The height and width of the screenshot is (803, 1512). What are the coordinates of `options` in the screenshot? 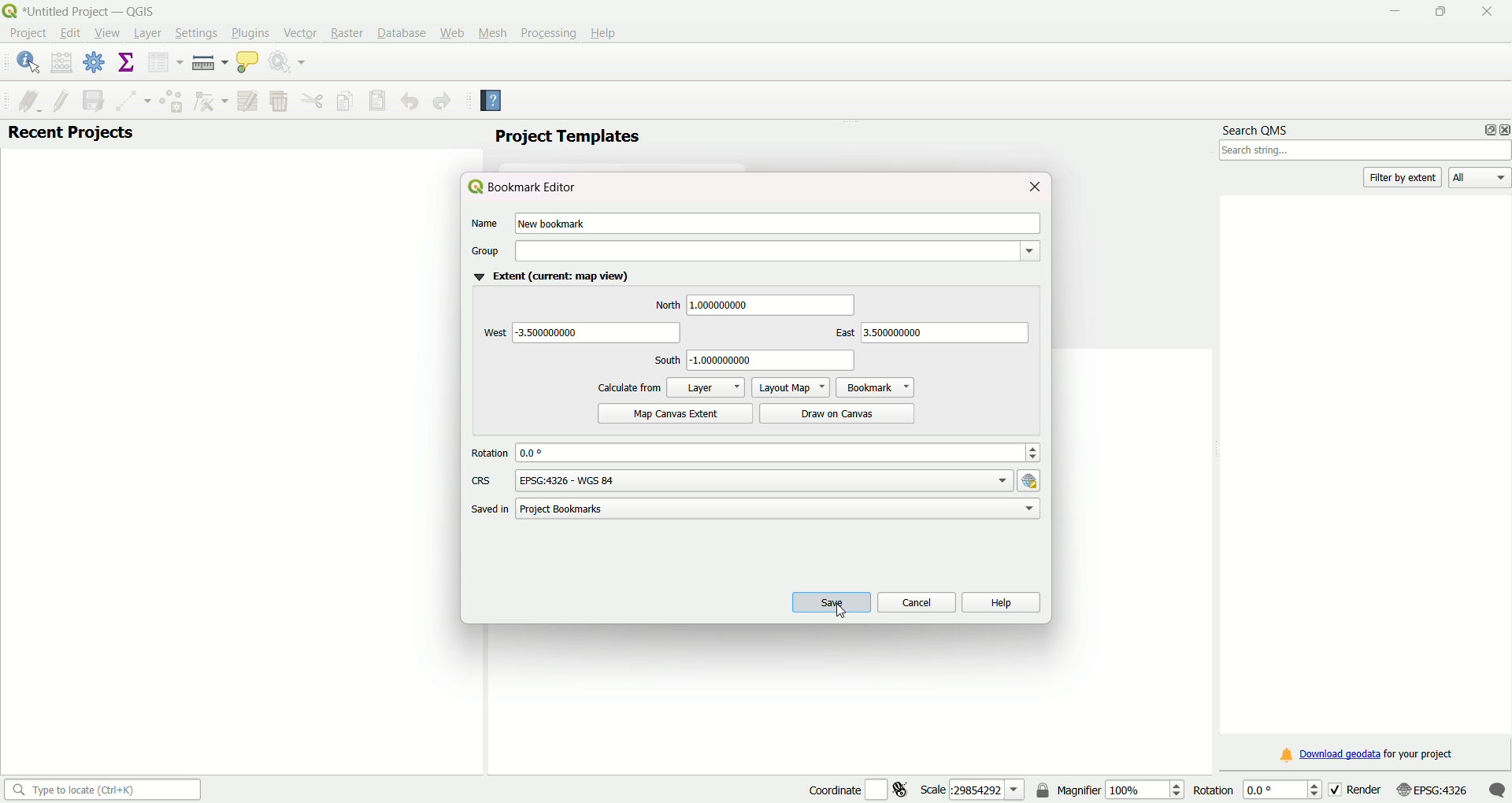 It's located at (1485, 129).